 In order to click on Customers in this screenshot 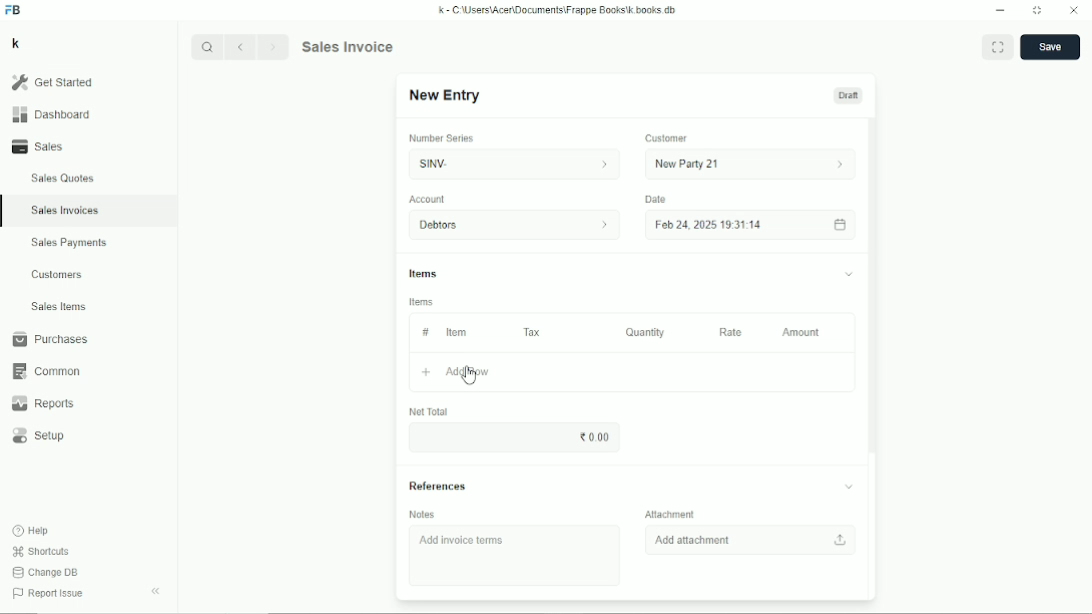, I will do `click(58, 274)`.